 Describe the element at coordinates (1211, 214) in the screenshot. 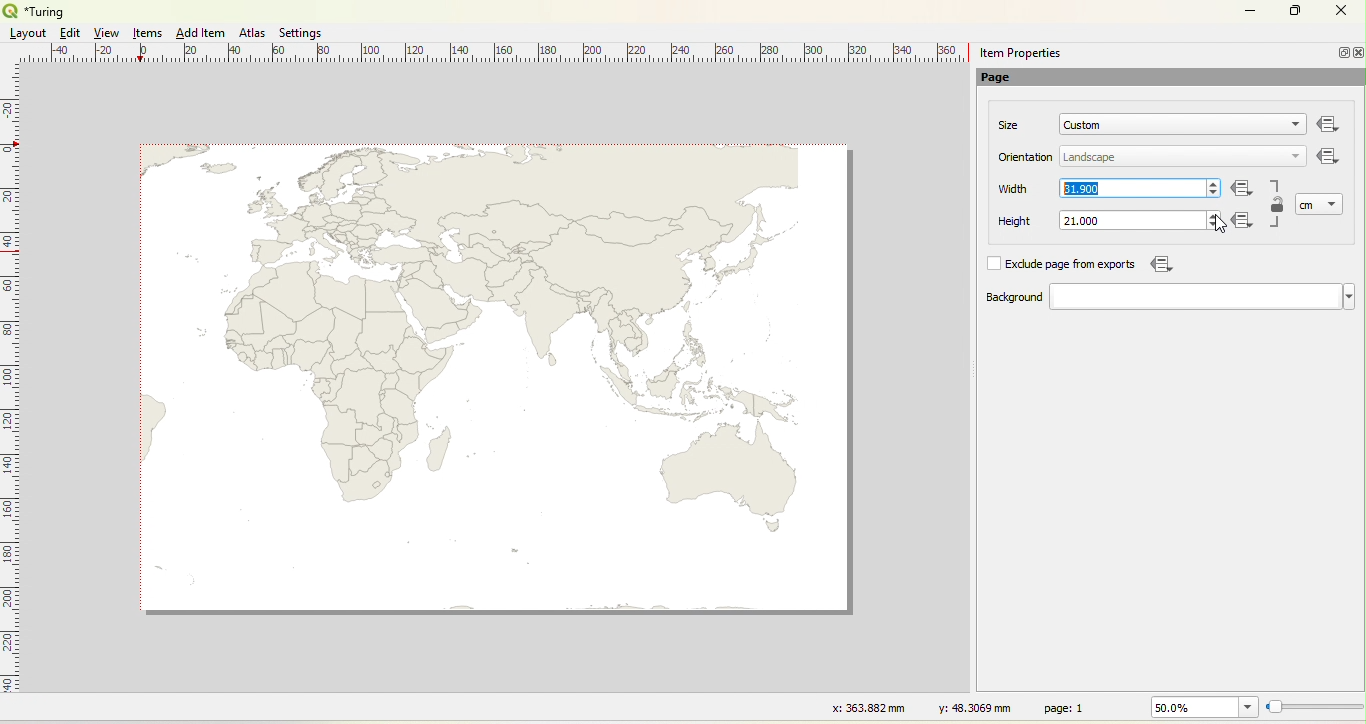

I see `increase` at that location.